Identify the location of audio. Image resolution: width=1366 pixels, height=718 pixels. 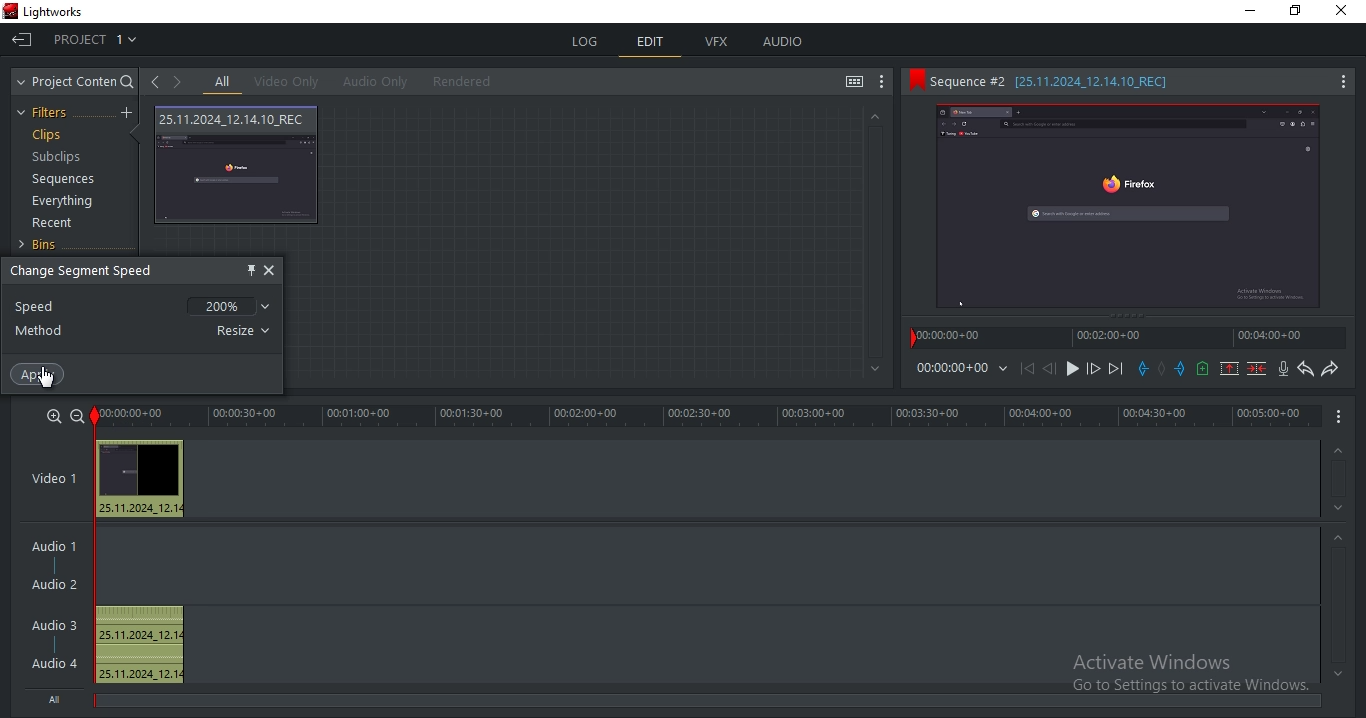
(141, 479).